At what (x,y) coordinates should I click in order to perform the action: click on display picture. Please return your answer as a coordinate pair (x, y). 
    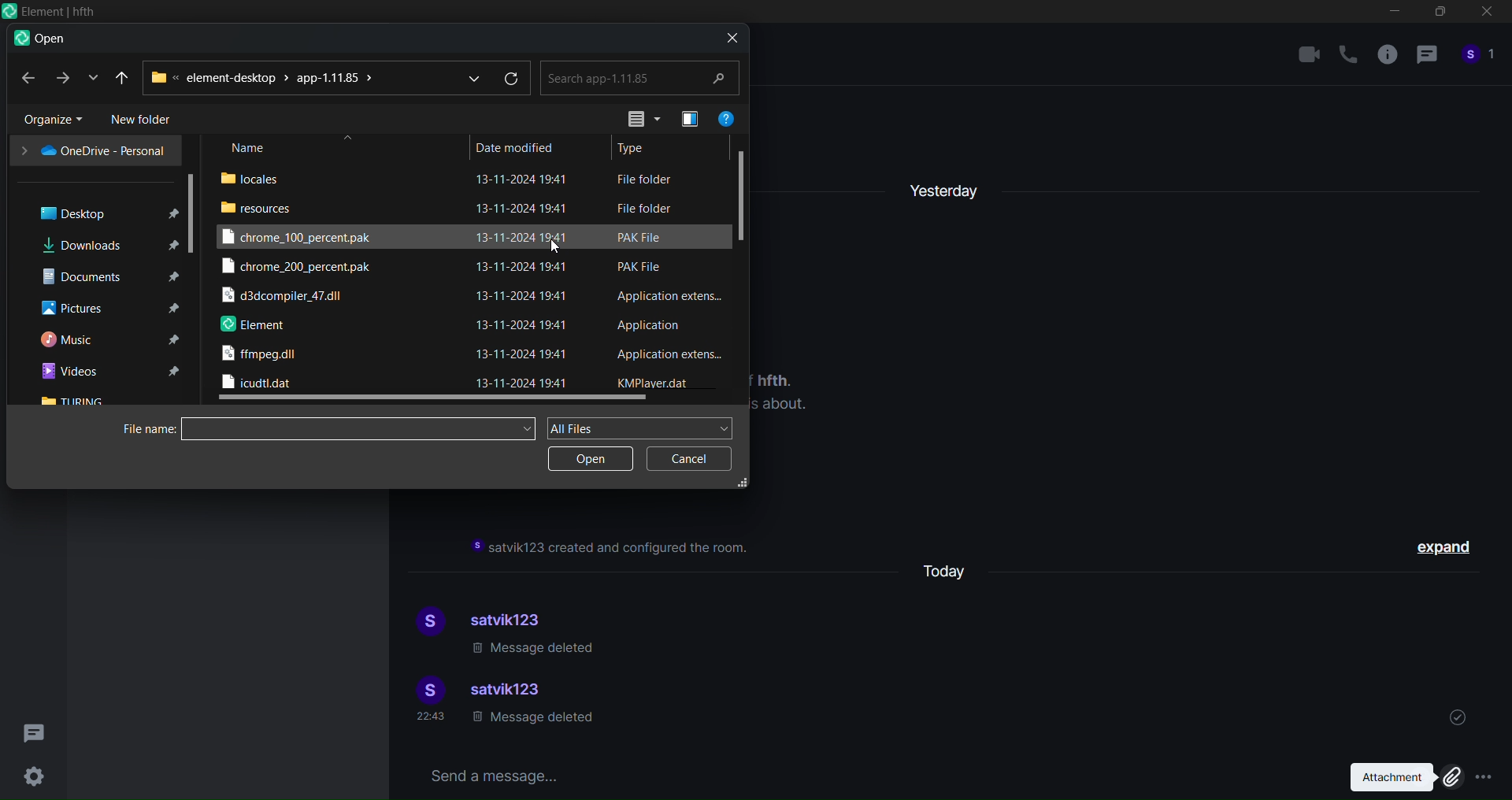
    Looking at the image, I should click on (426, 690).